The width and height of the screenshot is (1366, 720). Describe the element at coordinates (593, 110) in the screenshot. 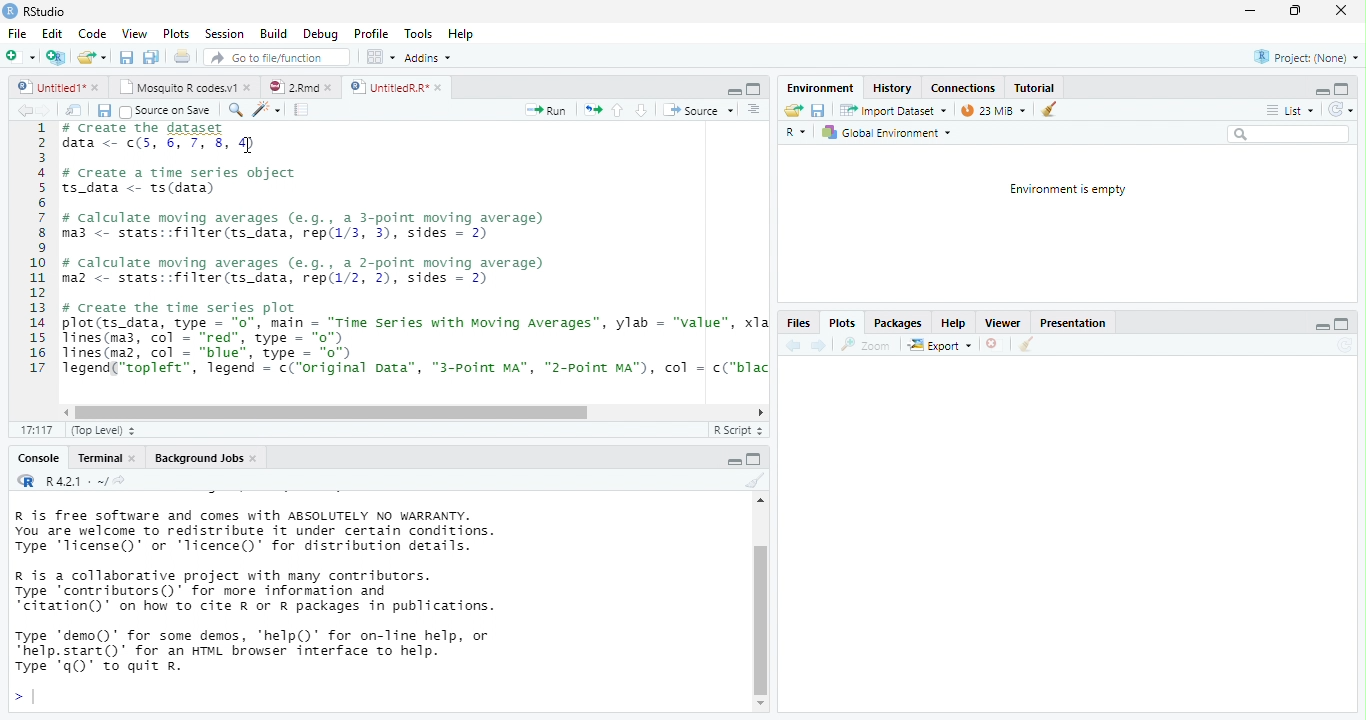

I see `re-run the previous code` at that location.